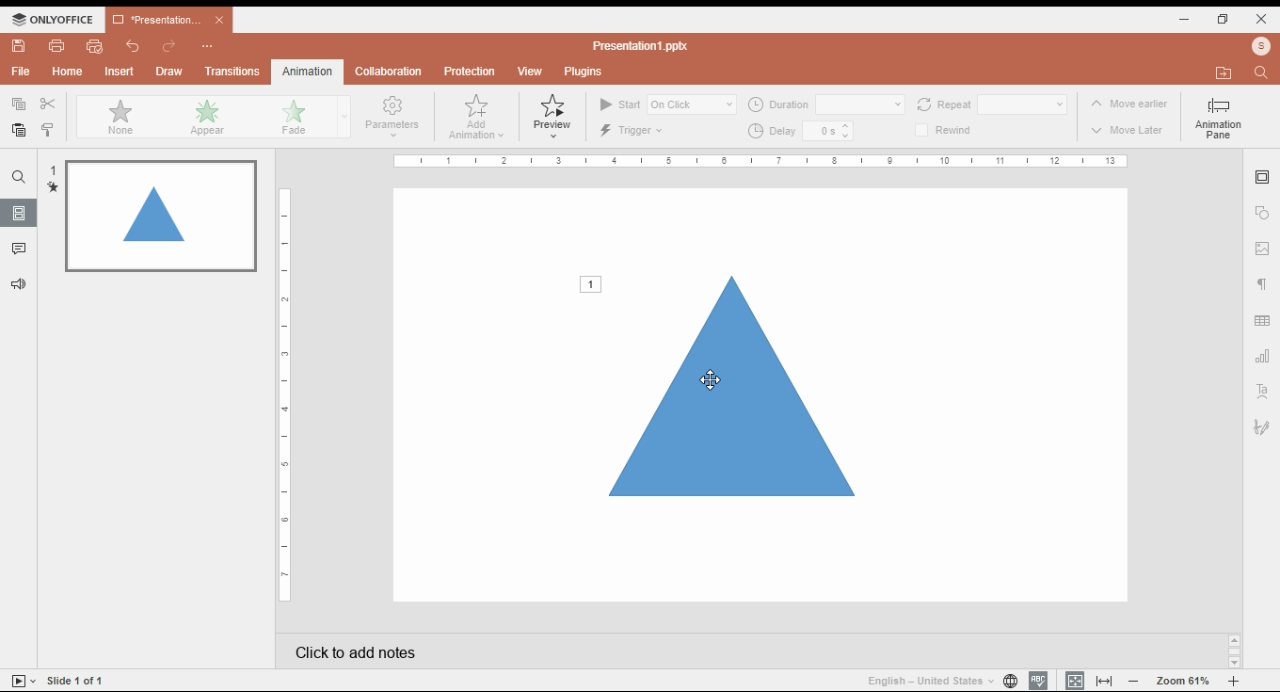 This screenshot has height=692, width=1280. I want to click on suggestions and feedback, so click(17, 283).